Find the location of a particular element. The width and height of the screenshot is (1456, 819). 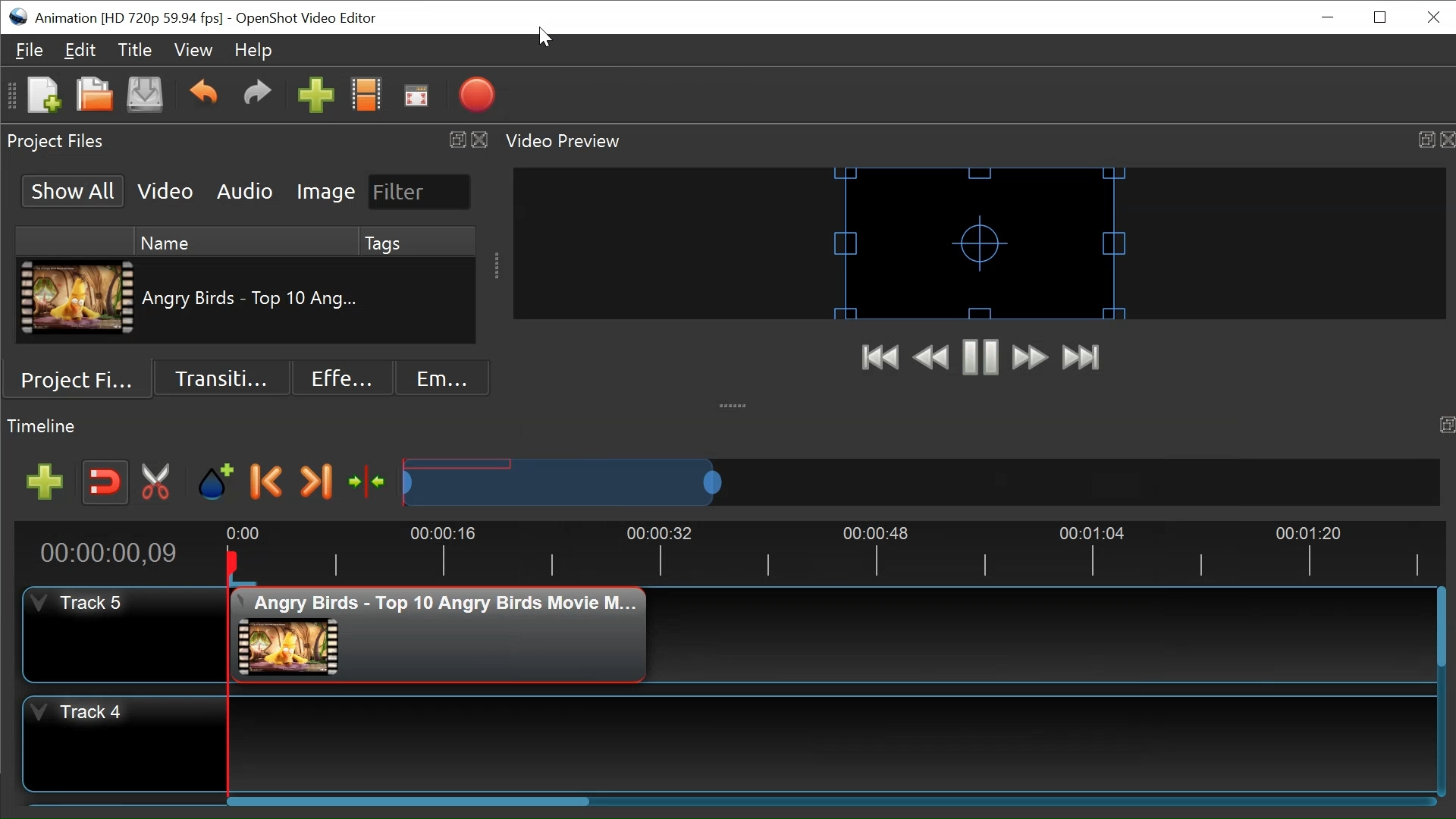

OpenShot Desktop icon is located at coordinates (17, 17).